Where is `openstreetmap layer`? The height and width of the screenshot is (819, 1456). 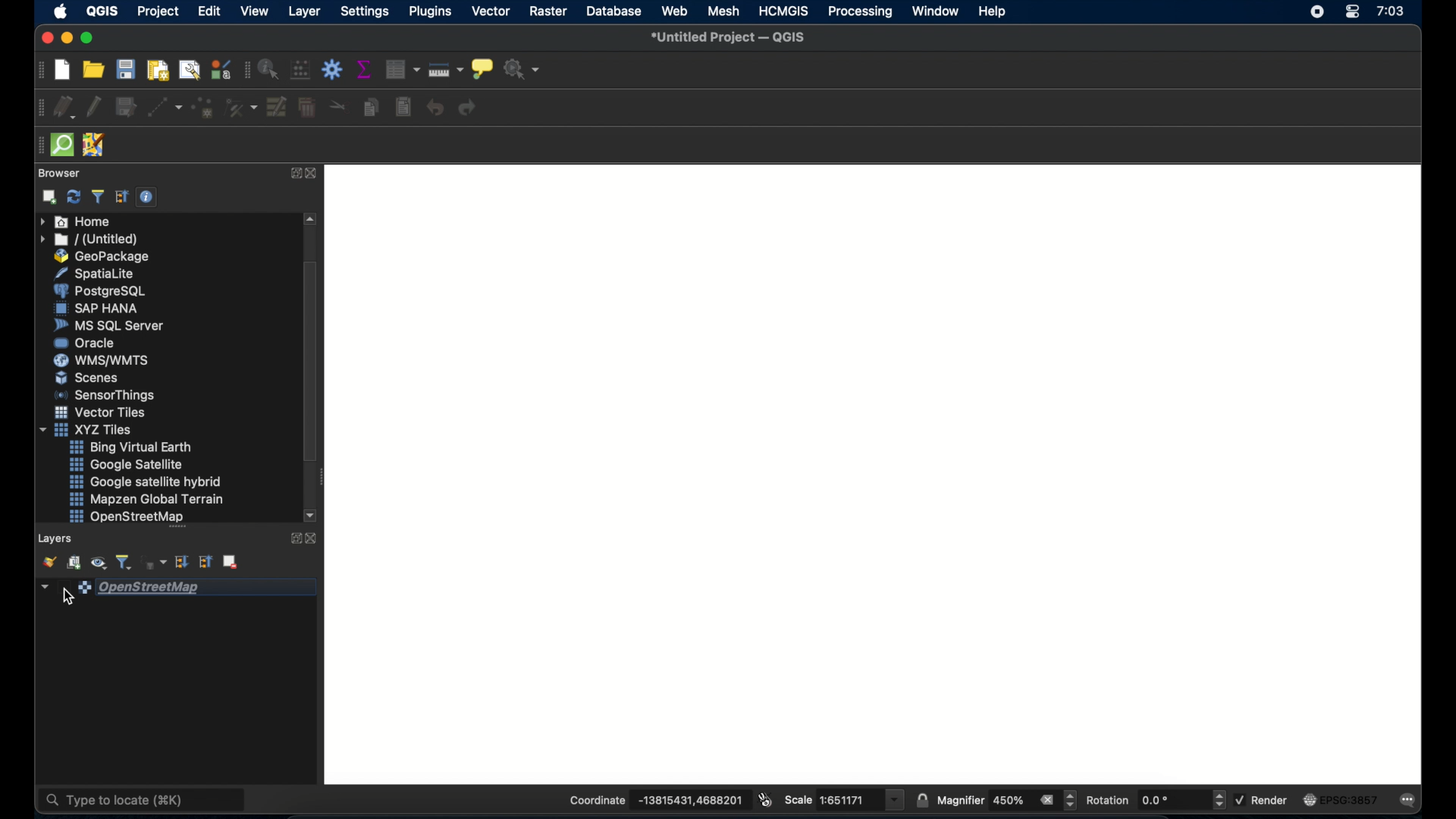
openstreetmap layer is located at coordinates (178, 588).